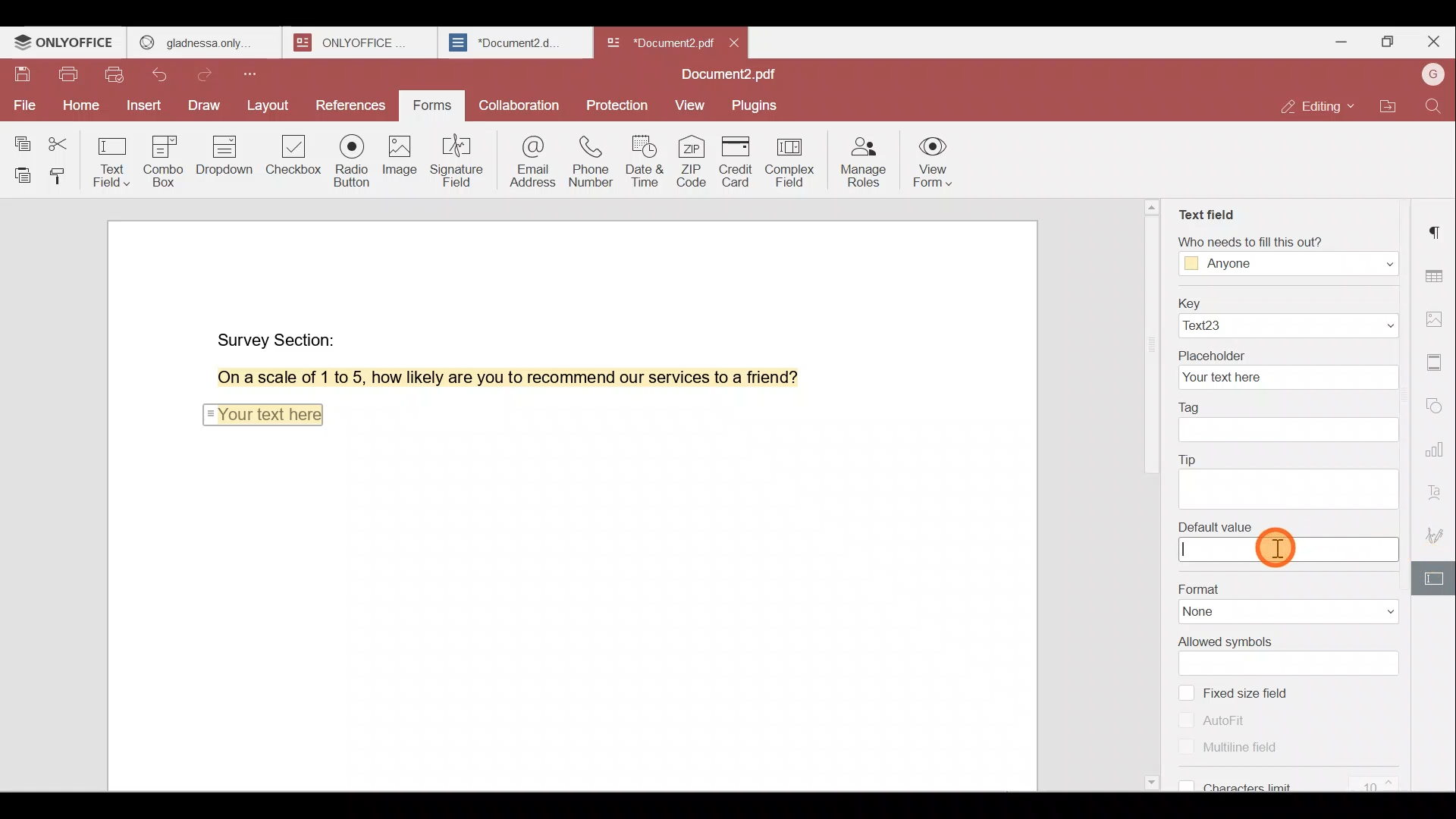 The height and width of the screenshot is (819, 1456). Describe the element at coordinates (1436, 402) in the screenshot. I see `Shapes settings` at that location.